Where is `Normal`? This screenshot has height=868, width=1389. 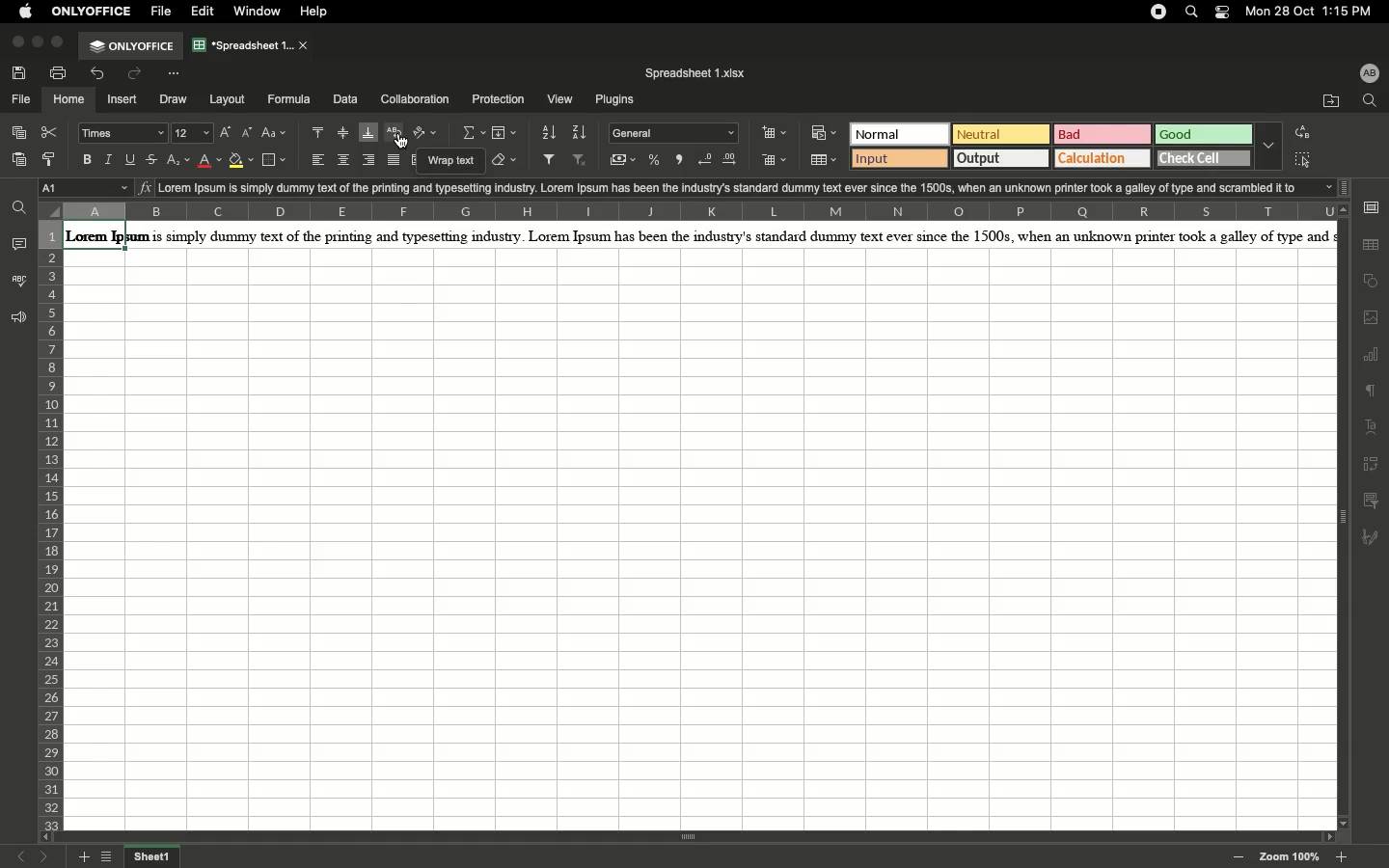 Normal is located at coordinates (900, 133).